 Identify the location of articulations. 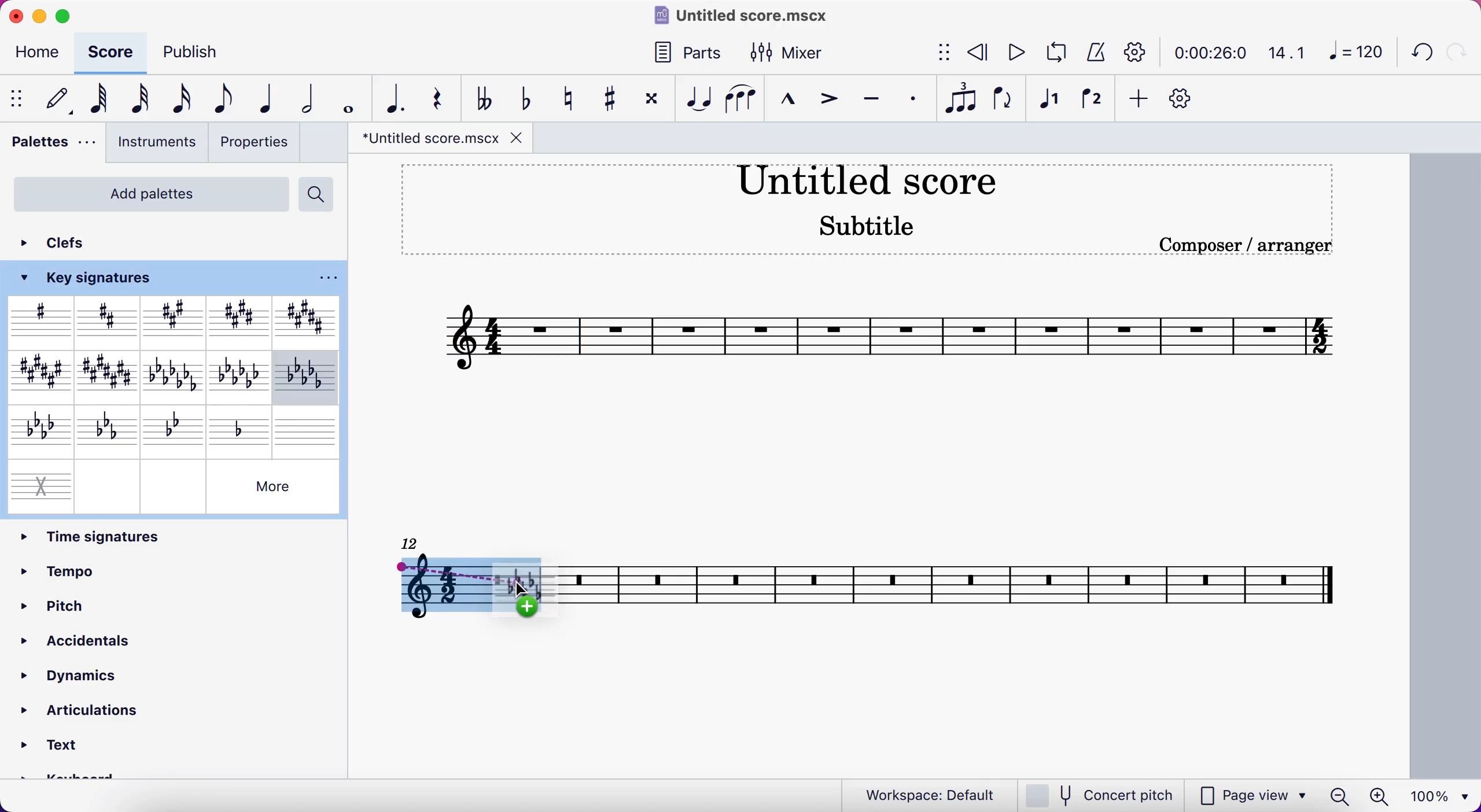
(82, 713).